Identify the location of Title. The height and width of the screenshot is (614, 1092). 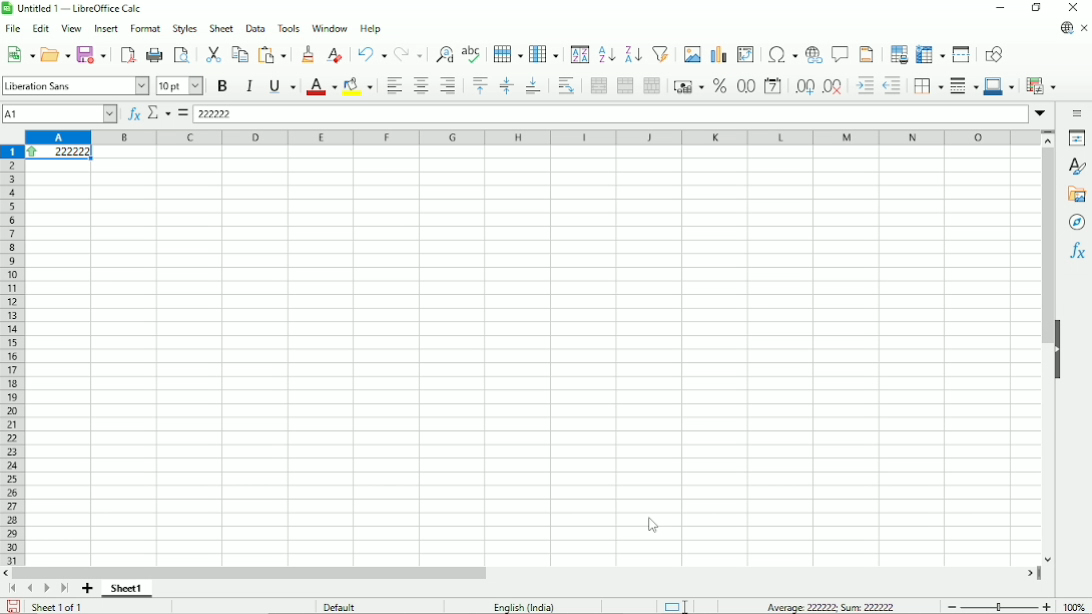
(75, 10).